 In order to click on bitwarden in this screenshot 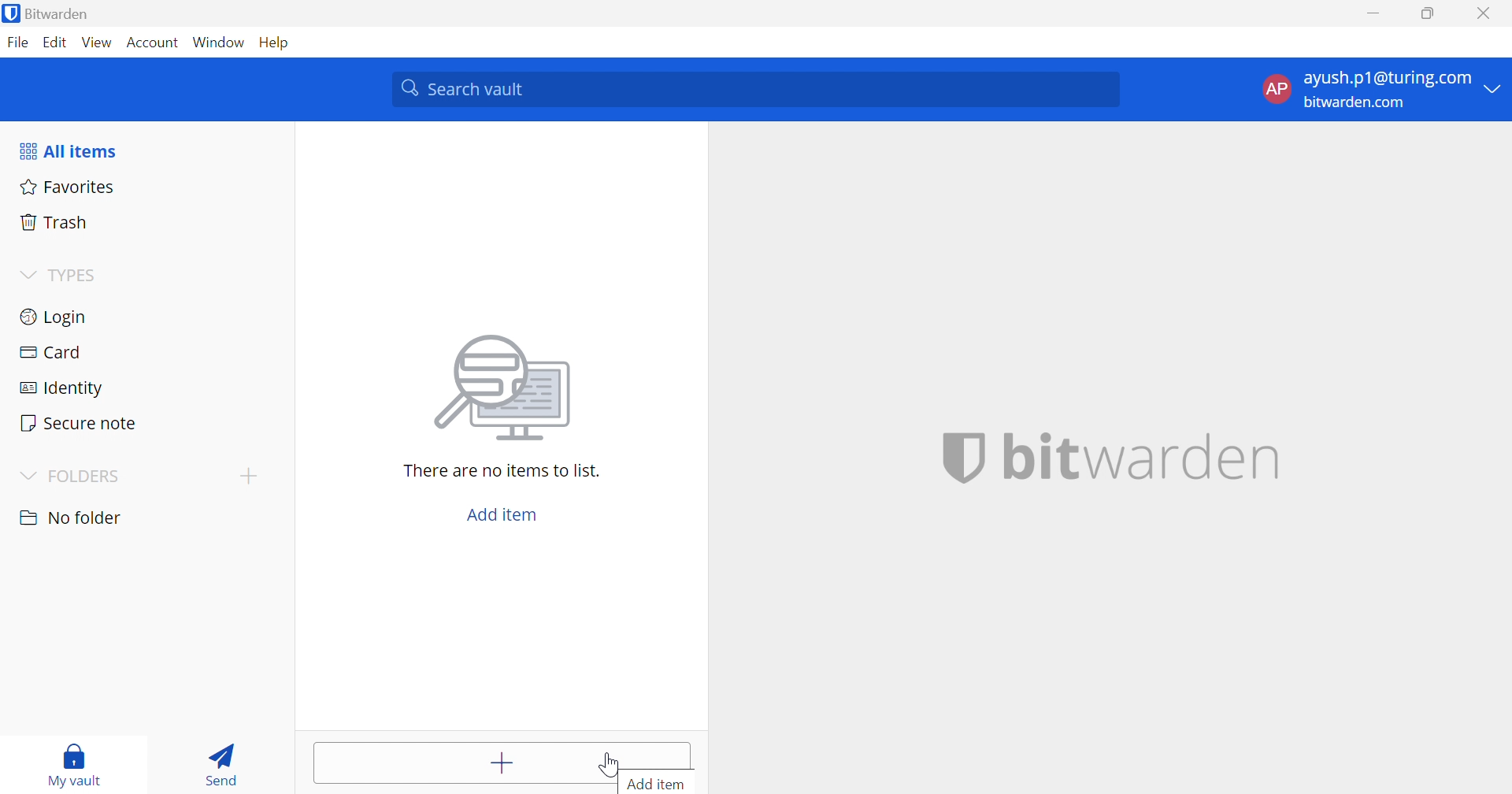, I will do `click(1114, 458)`.